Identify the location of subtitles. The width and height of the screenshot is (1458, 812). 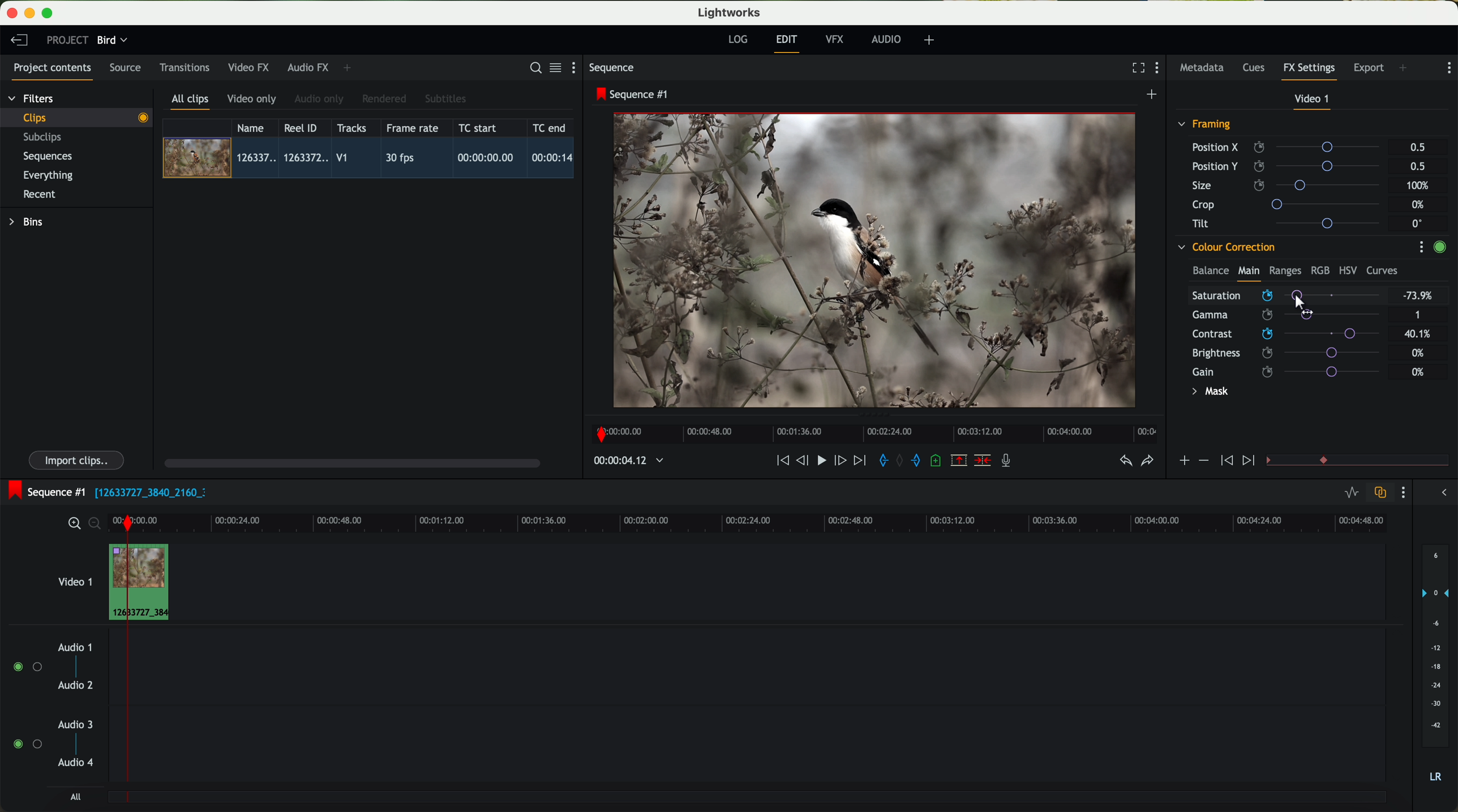
(444, 99).